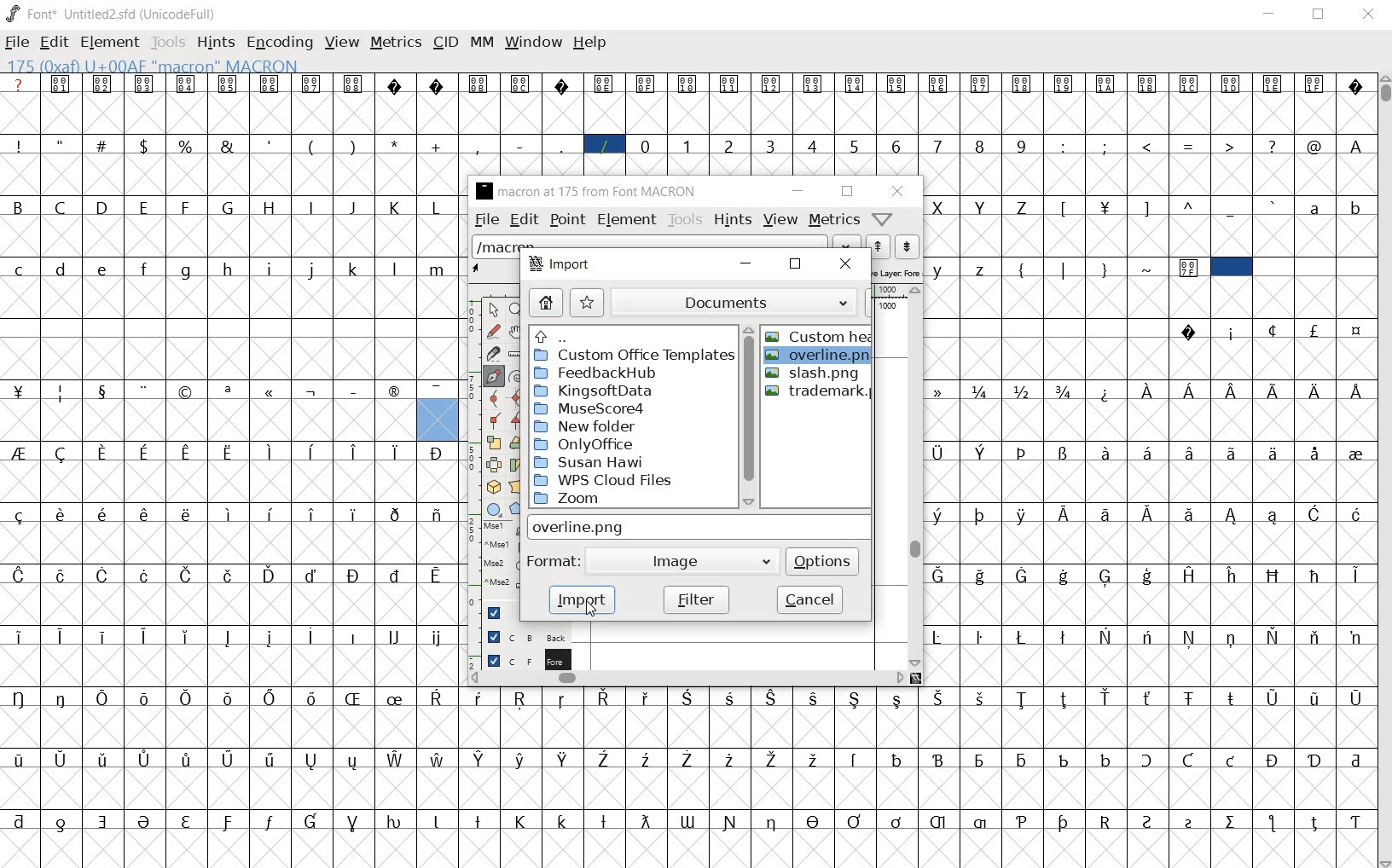 This screenshot has height=868, width=1392. I want to click on Symbol, so click(1189, 697).